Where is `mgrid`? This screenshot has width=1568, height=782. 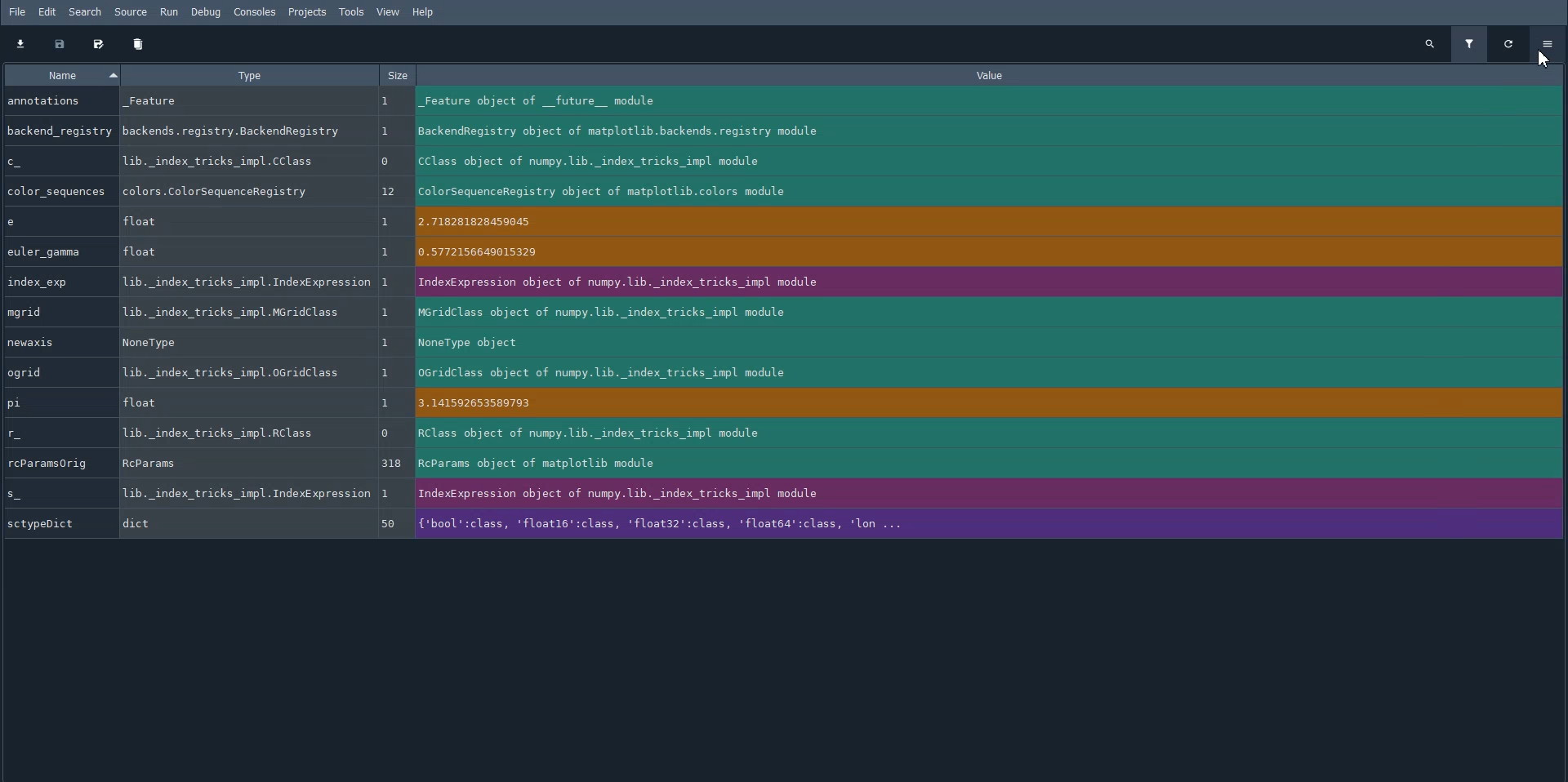 mgrid is located at coordinates (55, 312).